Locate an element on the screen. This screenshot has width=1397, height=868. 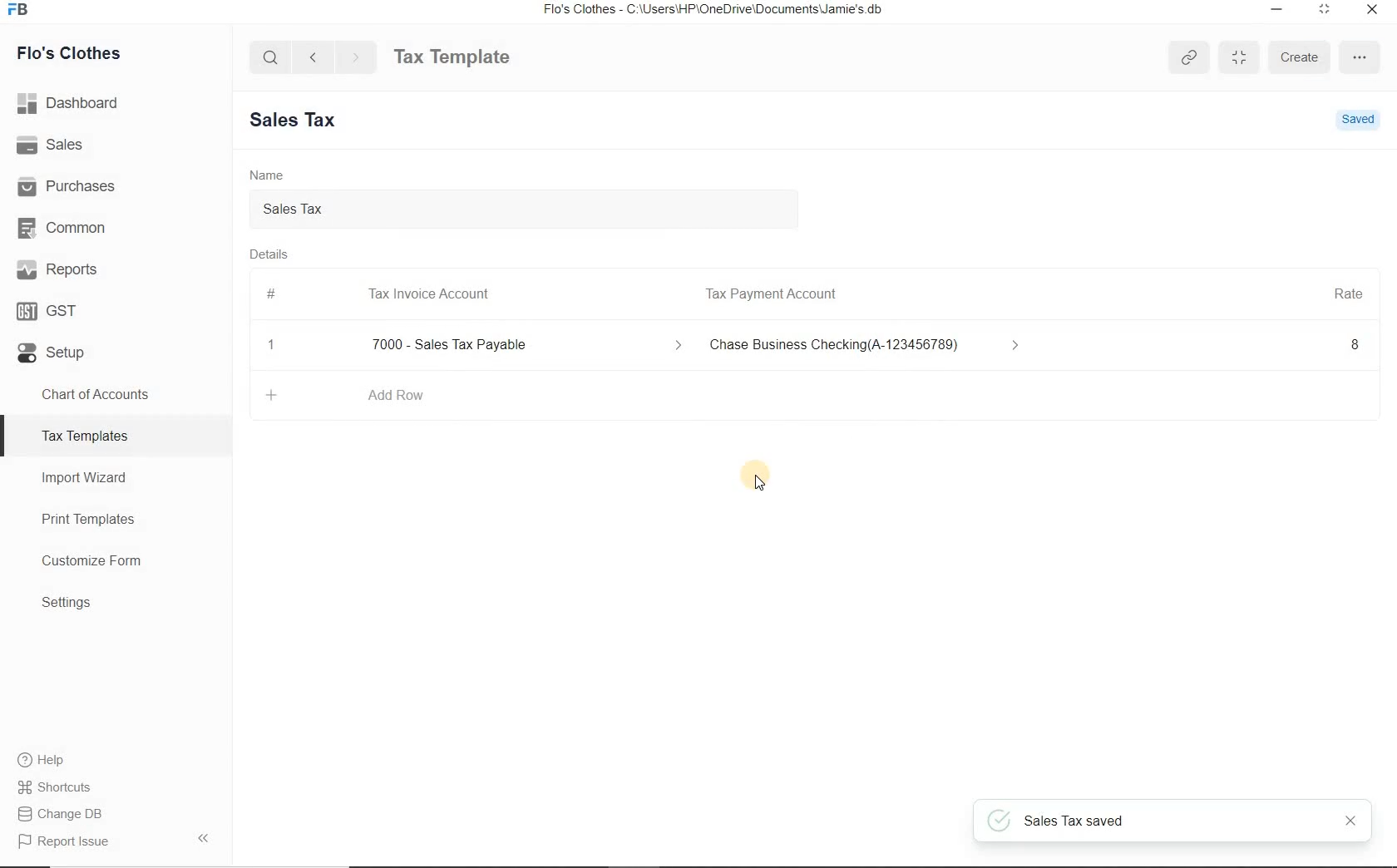
# Tax Invoice Account is located at coordinates (380, 295).